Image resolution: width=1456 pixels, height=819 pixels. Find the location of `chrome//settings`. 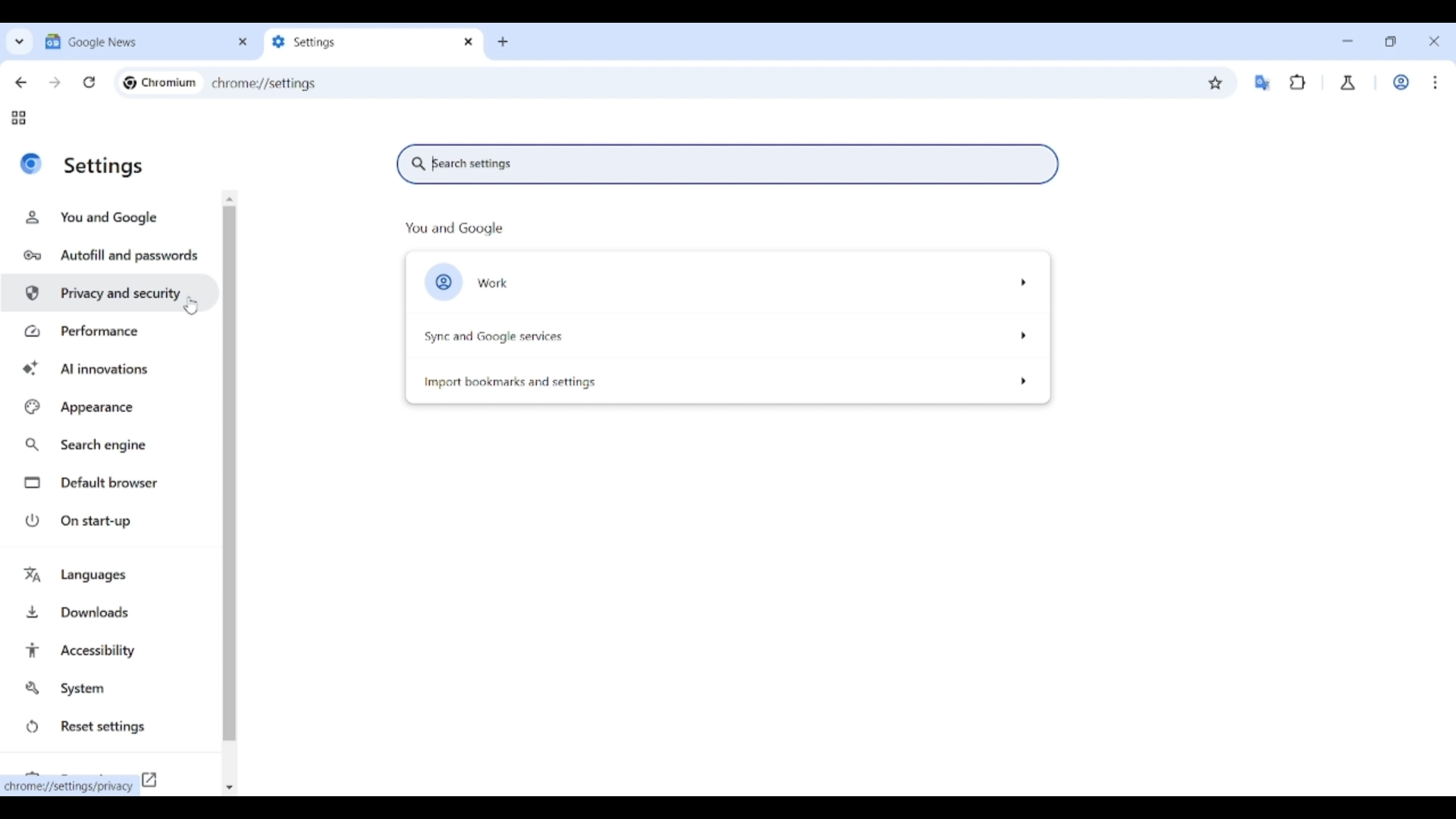

chrome//settings is located at coordinates (264, 83).